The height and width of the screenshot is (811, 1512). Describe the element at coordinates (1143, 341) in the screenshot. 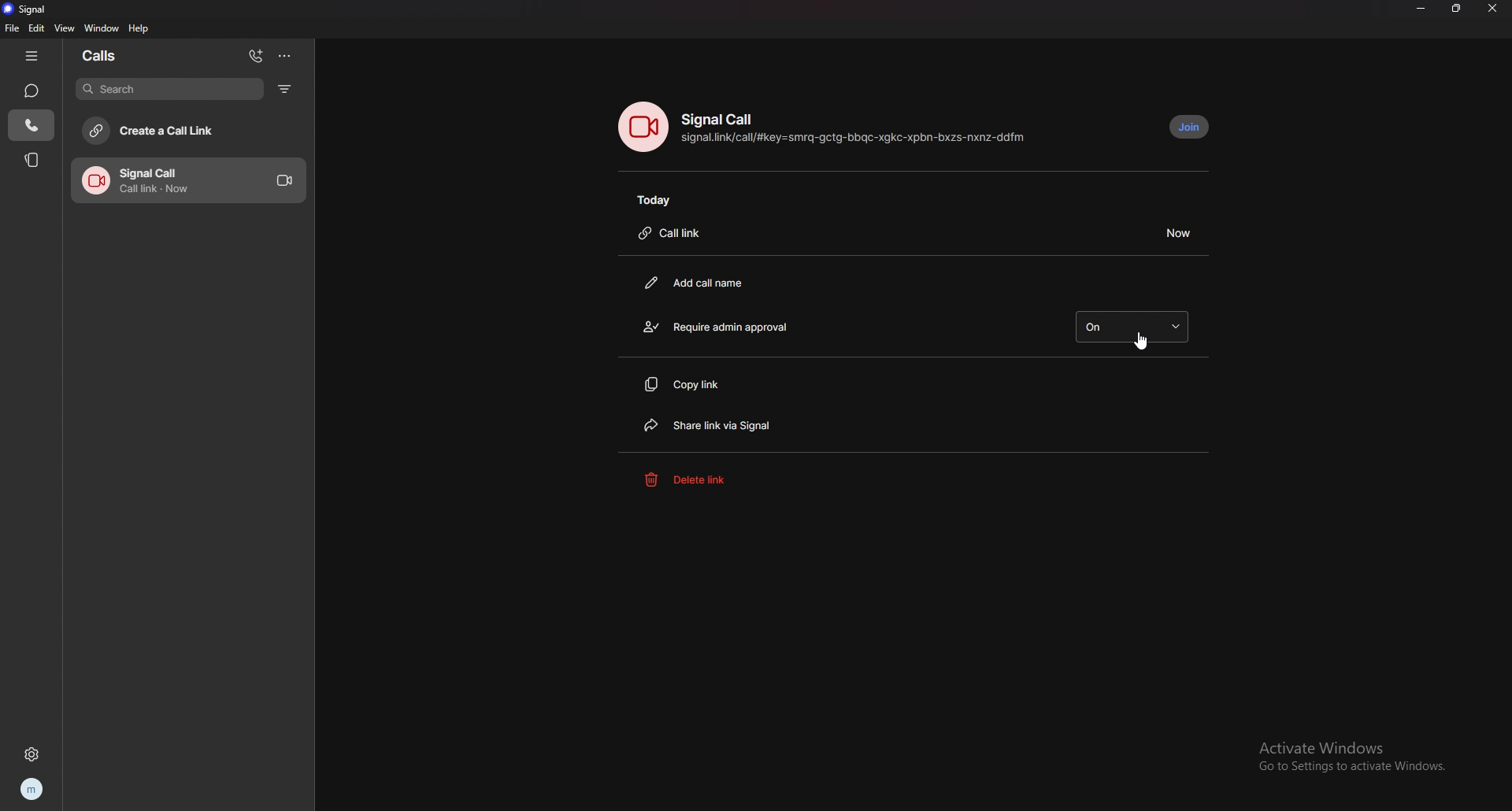

I see `cursor` at that location.